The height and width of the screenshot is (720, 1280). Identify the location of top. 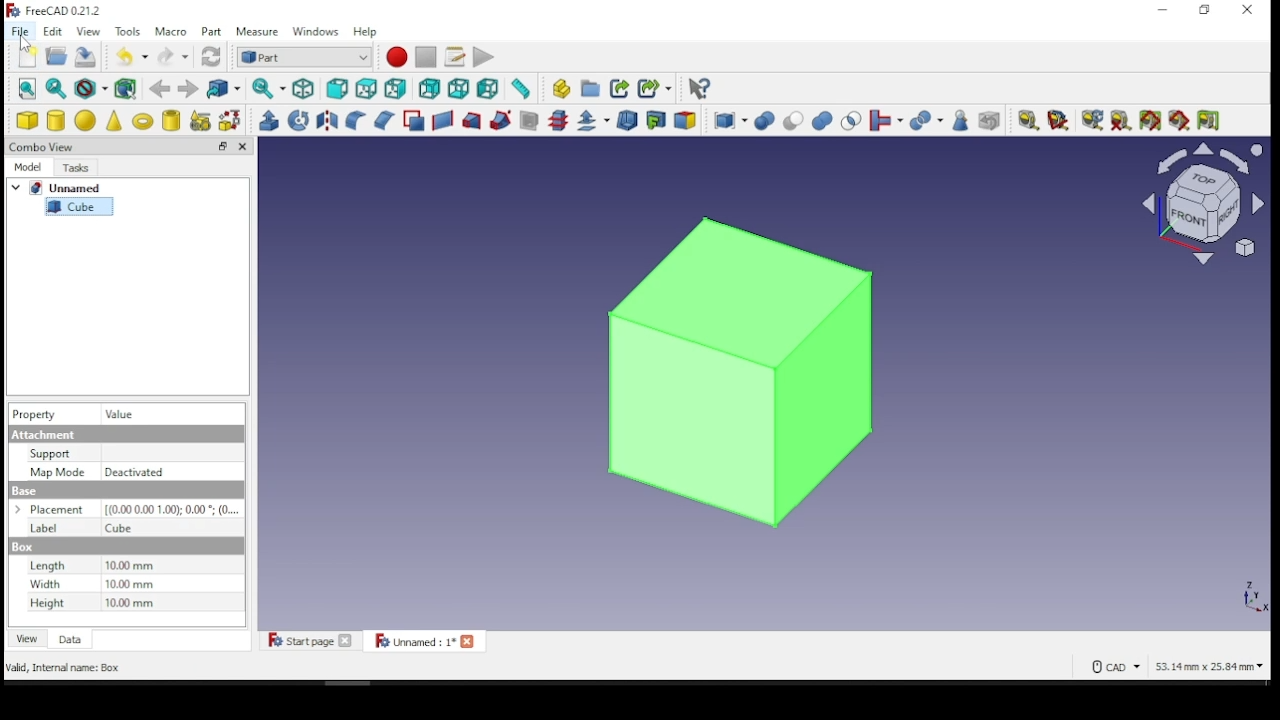
(369, 89).